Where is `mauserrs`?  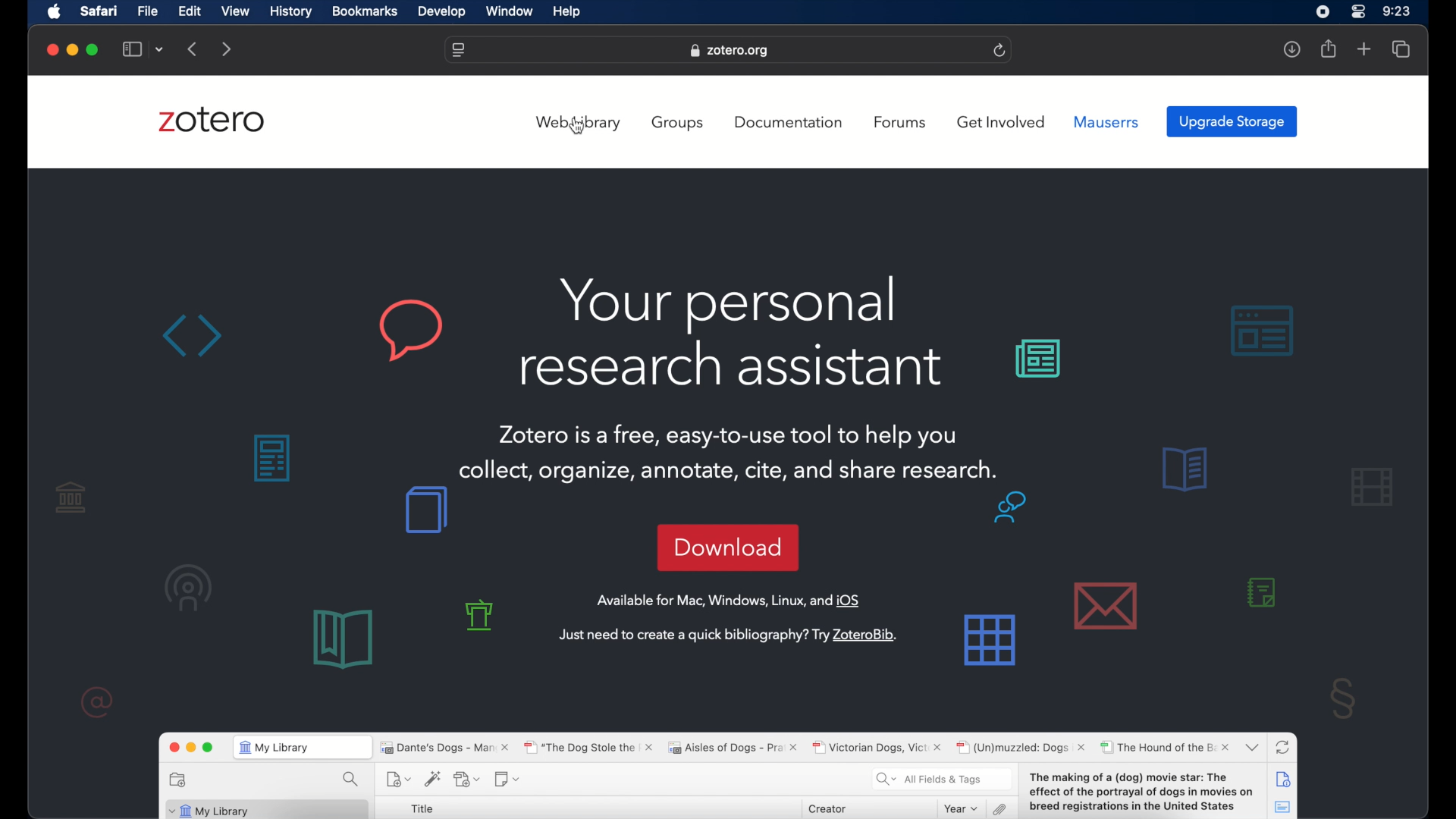
mauserrs is located at coordinates (1106, 122).